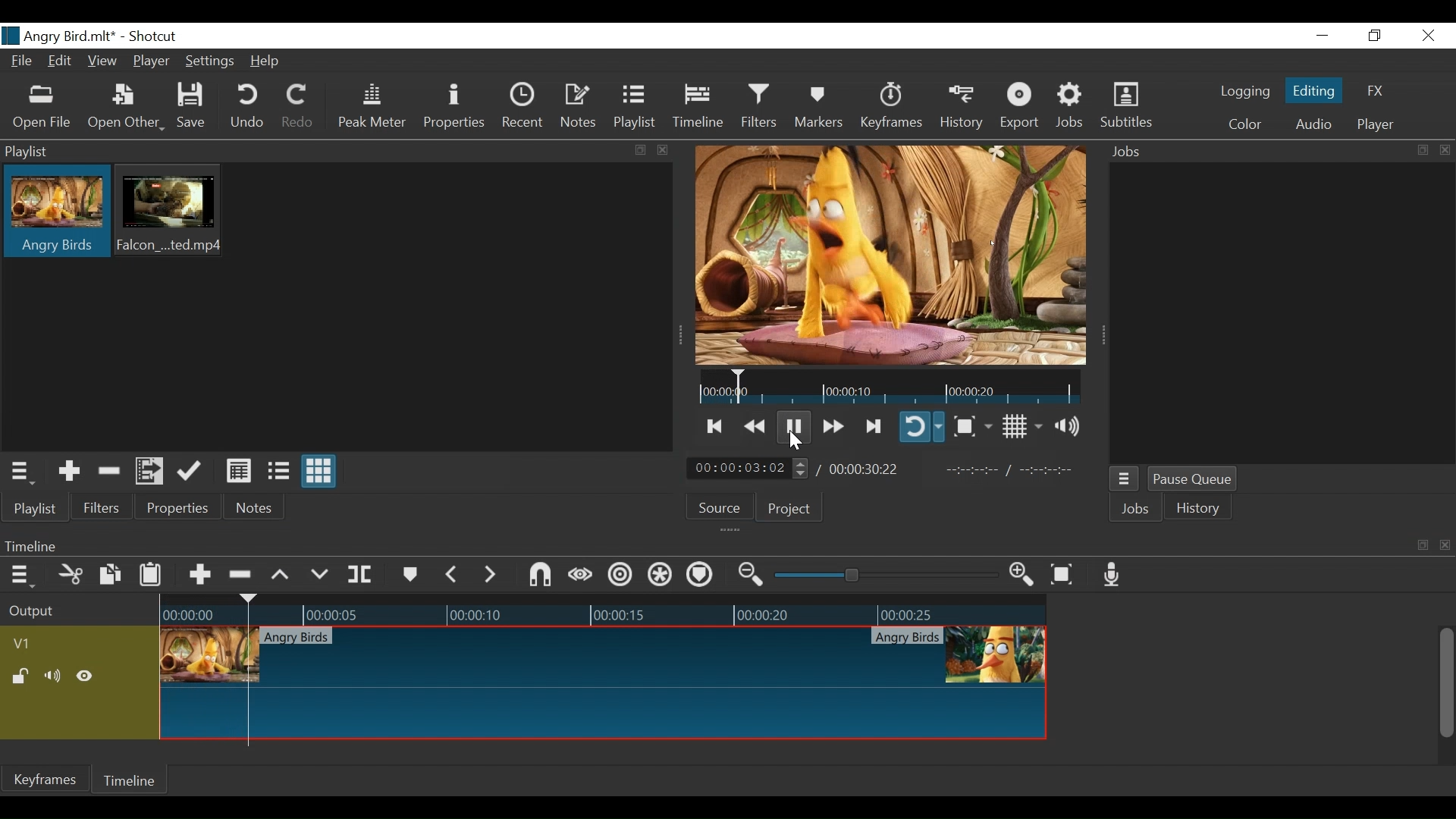  What do you see at coordinates (25, 62) in the screenshot?
I see `File` at bounding box center [25, 62].